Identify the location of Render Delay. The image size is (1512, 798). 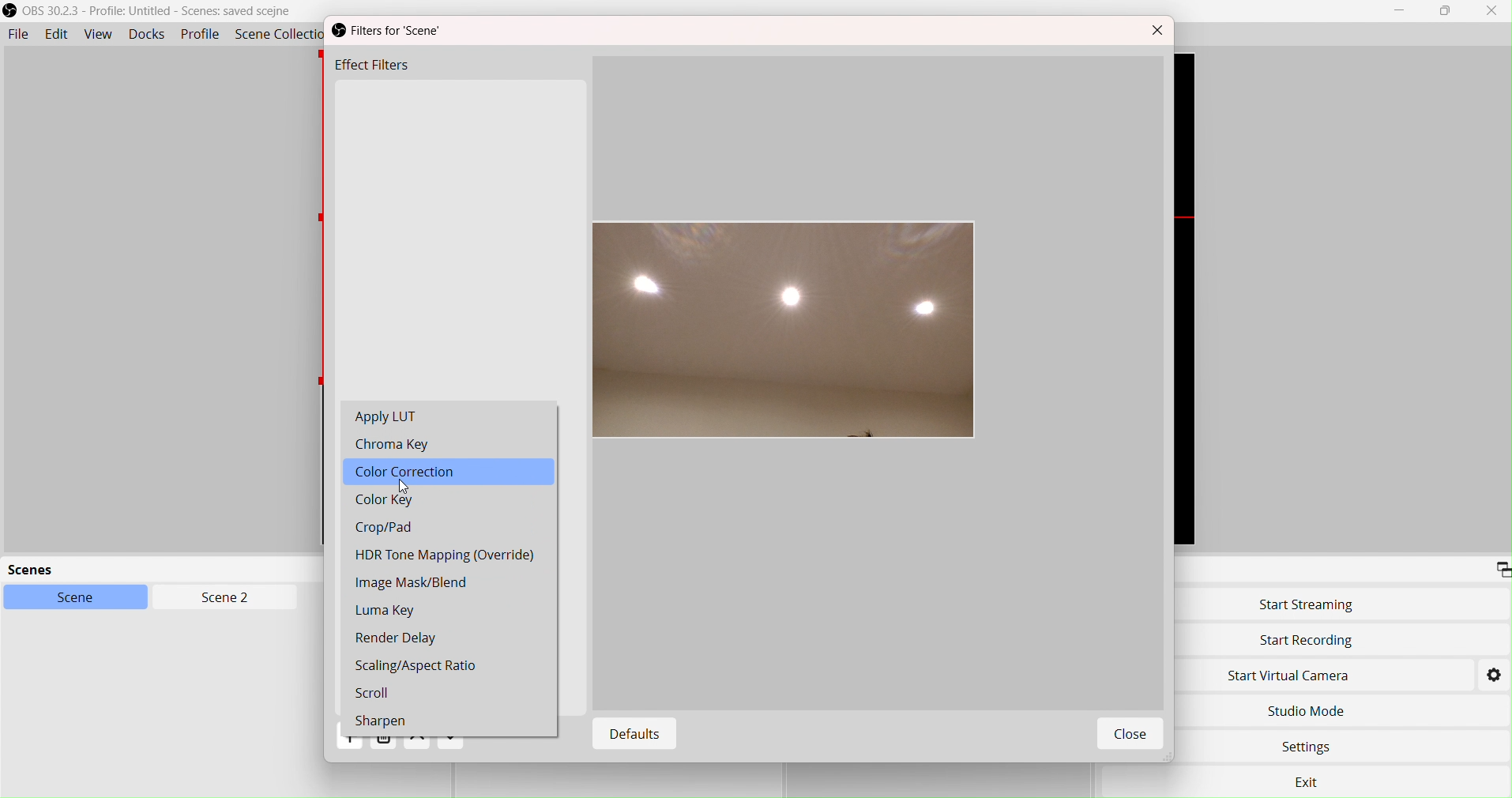
(397, 638).